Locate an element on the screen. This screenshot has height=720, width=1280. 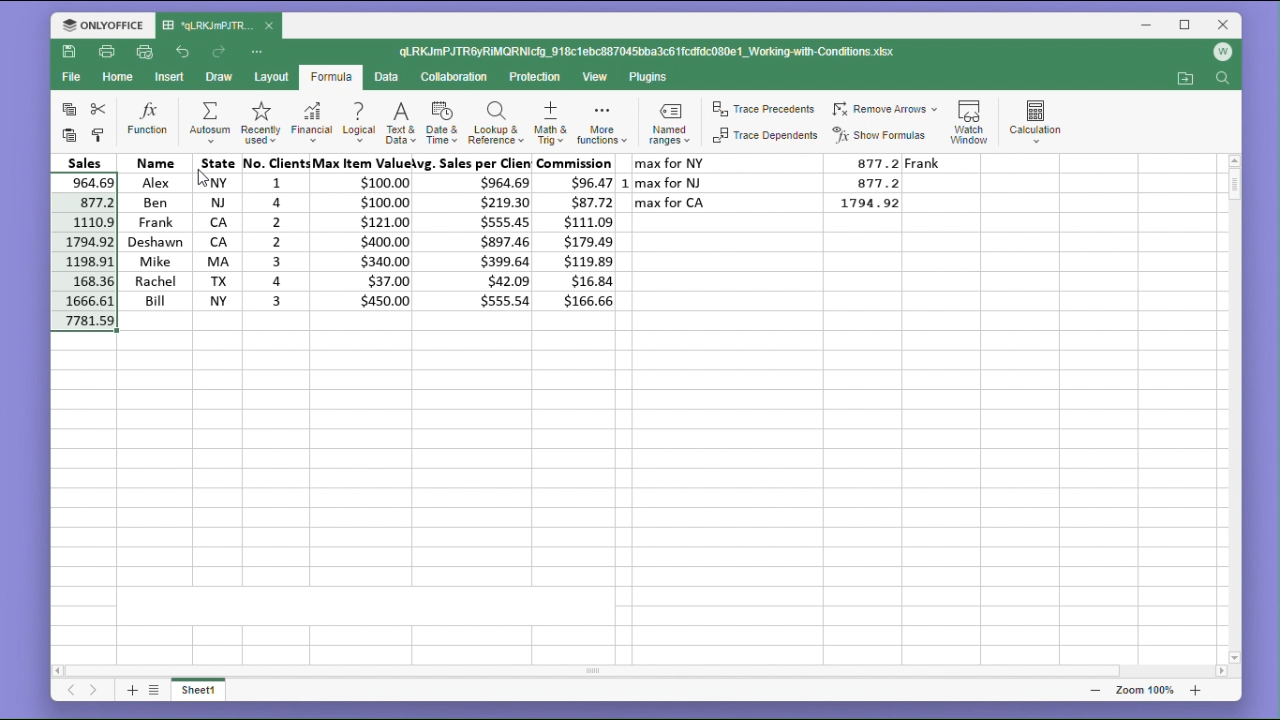
list of sheets is located at coordinates (157, 689).